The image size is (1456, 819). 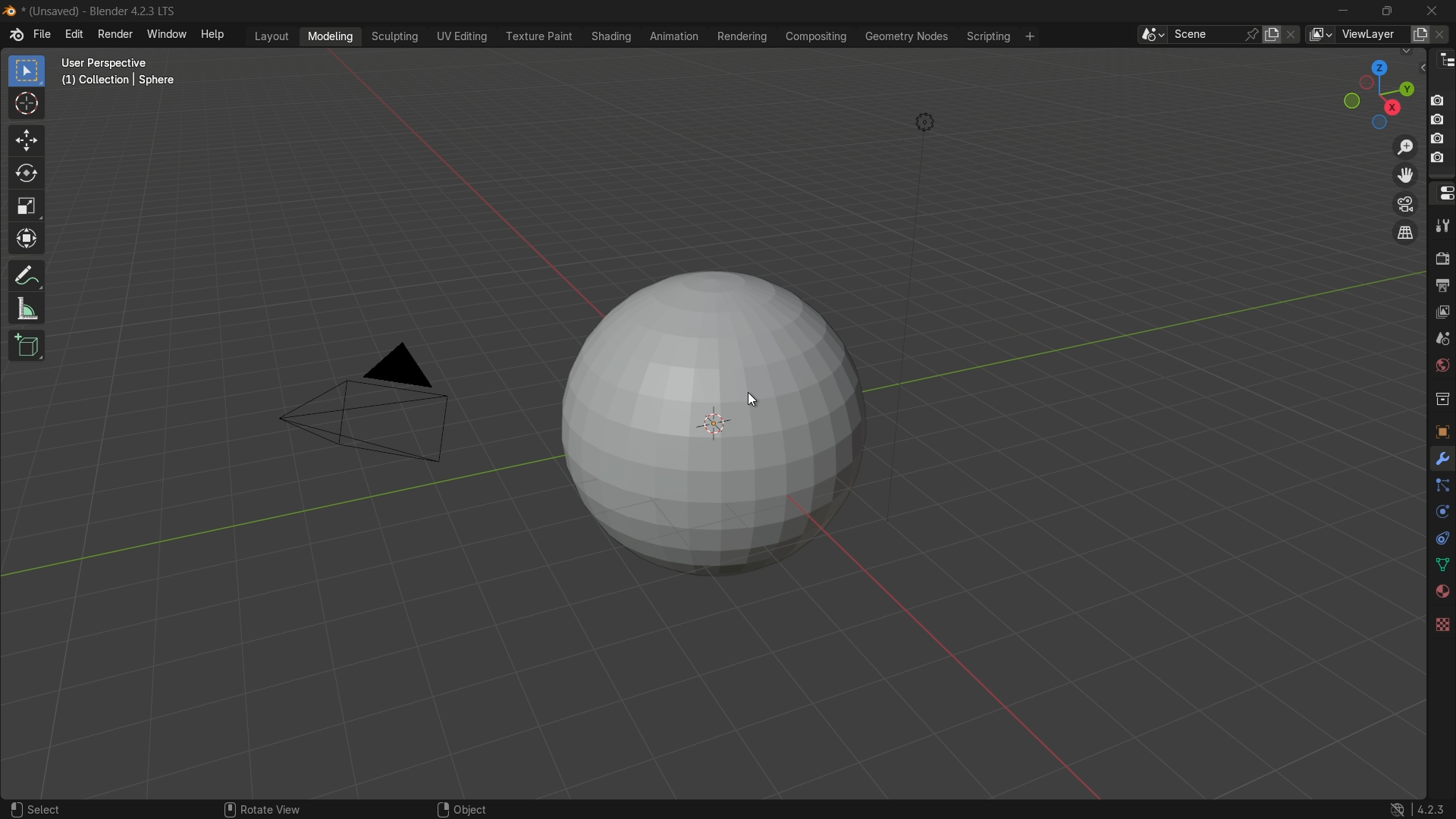 What do you see at coordinates (27, 276) in the screenshot?
I see `annotate` at bounding box center [27, 276].